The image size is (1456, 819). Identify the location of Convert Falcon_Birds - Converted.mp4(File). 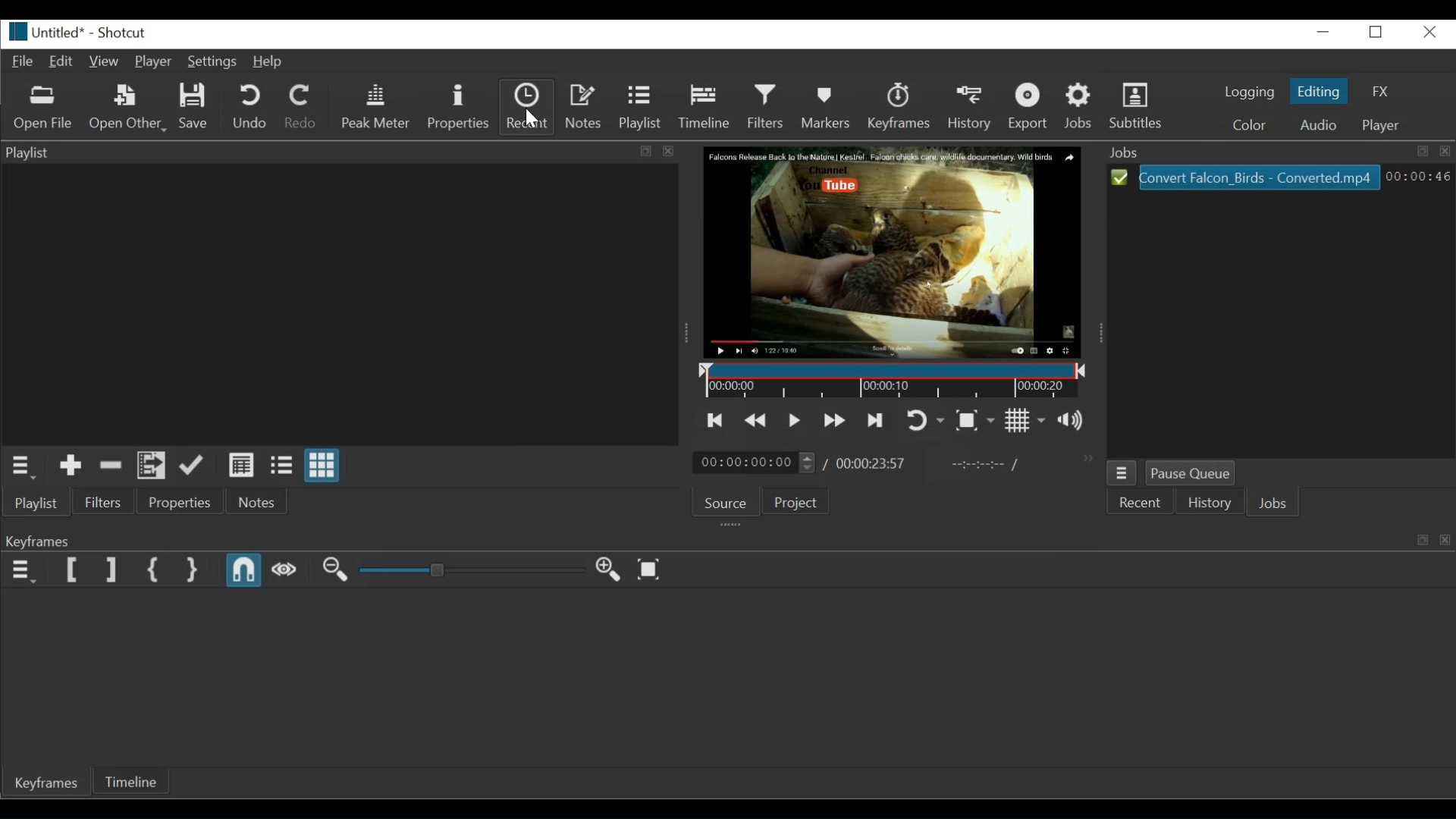
(1241, 178).